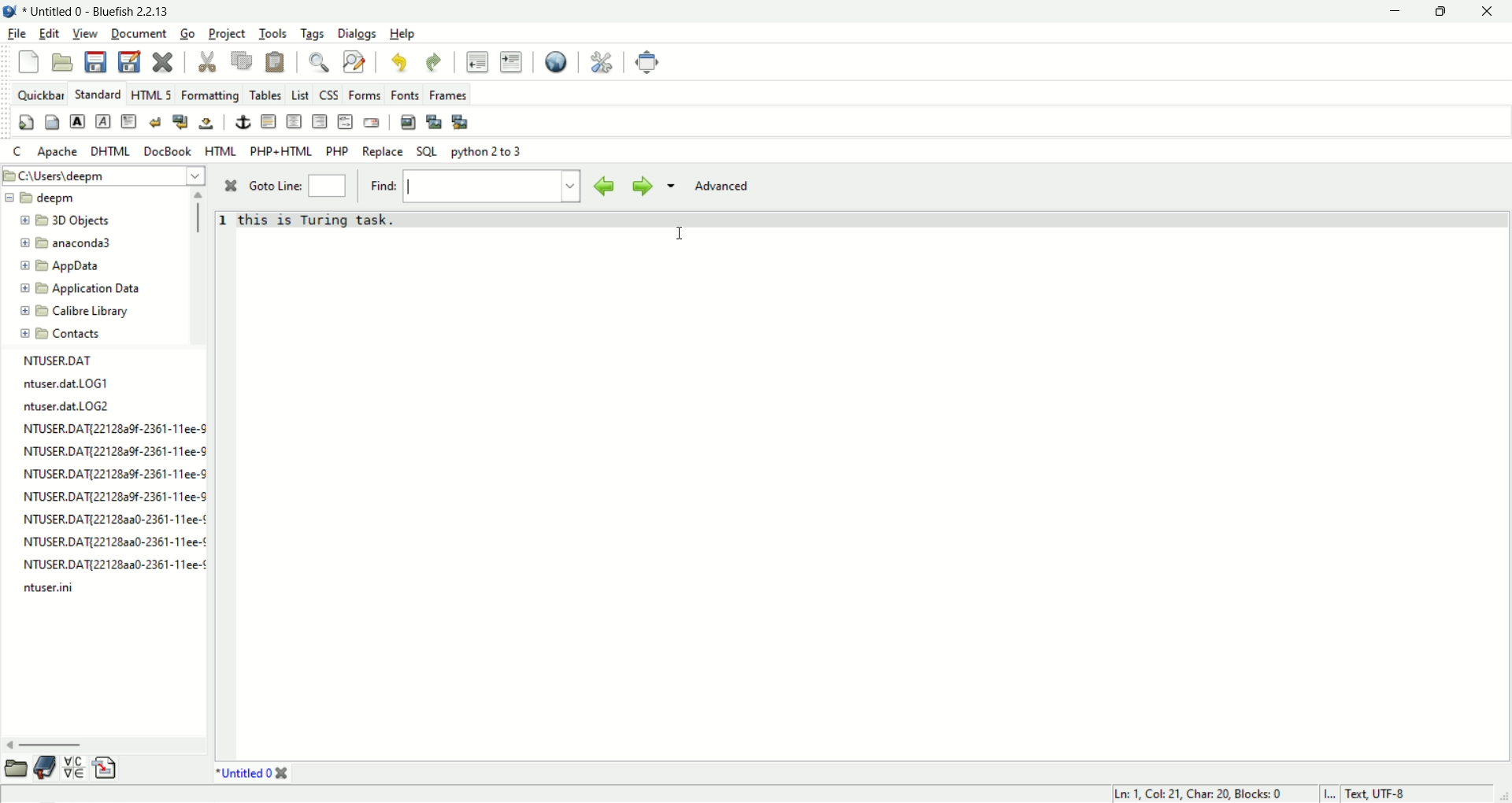 The height and width of the screenshot is (803, 1512). Describe the element at coordinates (402, 34) in the screenshot. I see `Help` at that location.